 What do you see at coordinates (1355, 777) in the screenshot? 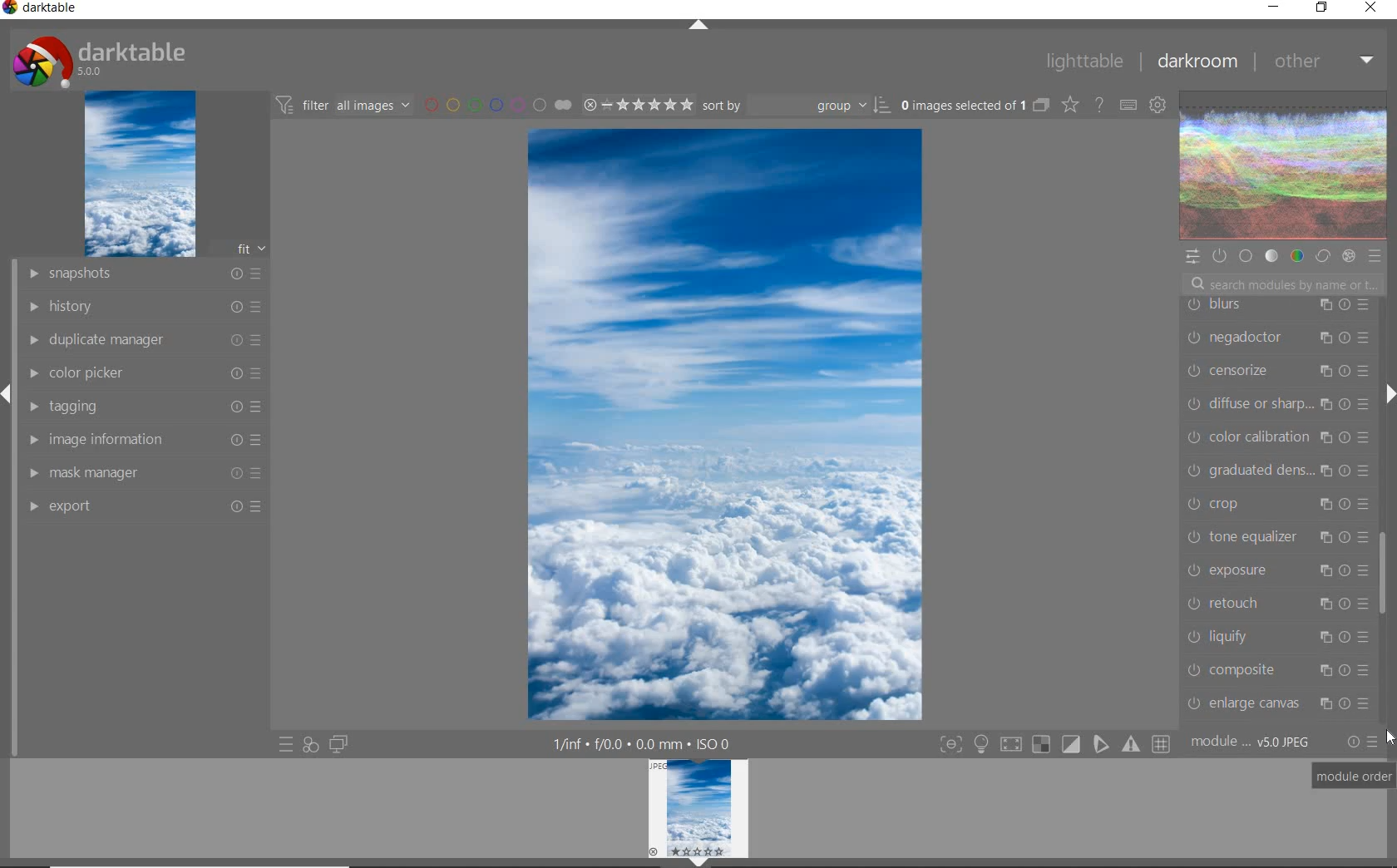
I see `module order` at bounding box center [1355, 777].